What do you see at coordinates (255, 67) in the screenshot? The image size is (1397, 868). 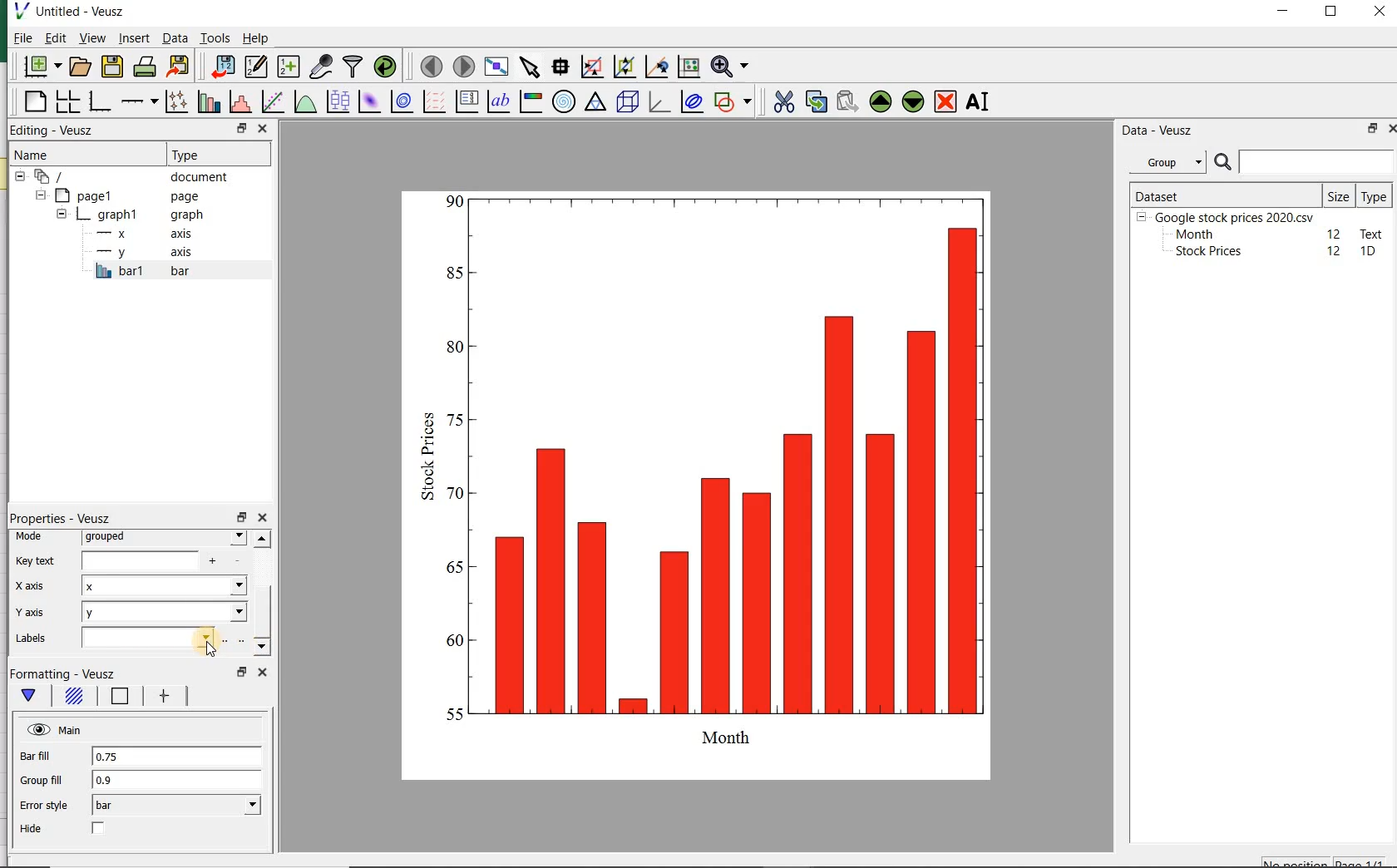 I see `edit and enter new datasets` at bounding box center [255, 67].